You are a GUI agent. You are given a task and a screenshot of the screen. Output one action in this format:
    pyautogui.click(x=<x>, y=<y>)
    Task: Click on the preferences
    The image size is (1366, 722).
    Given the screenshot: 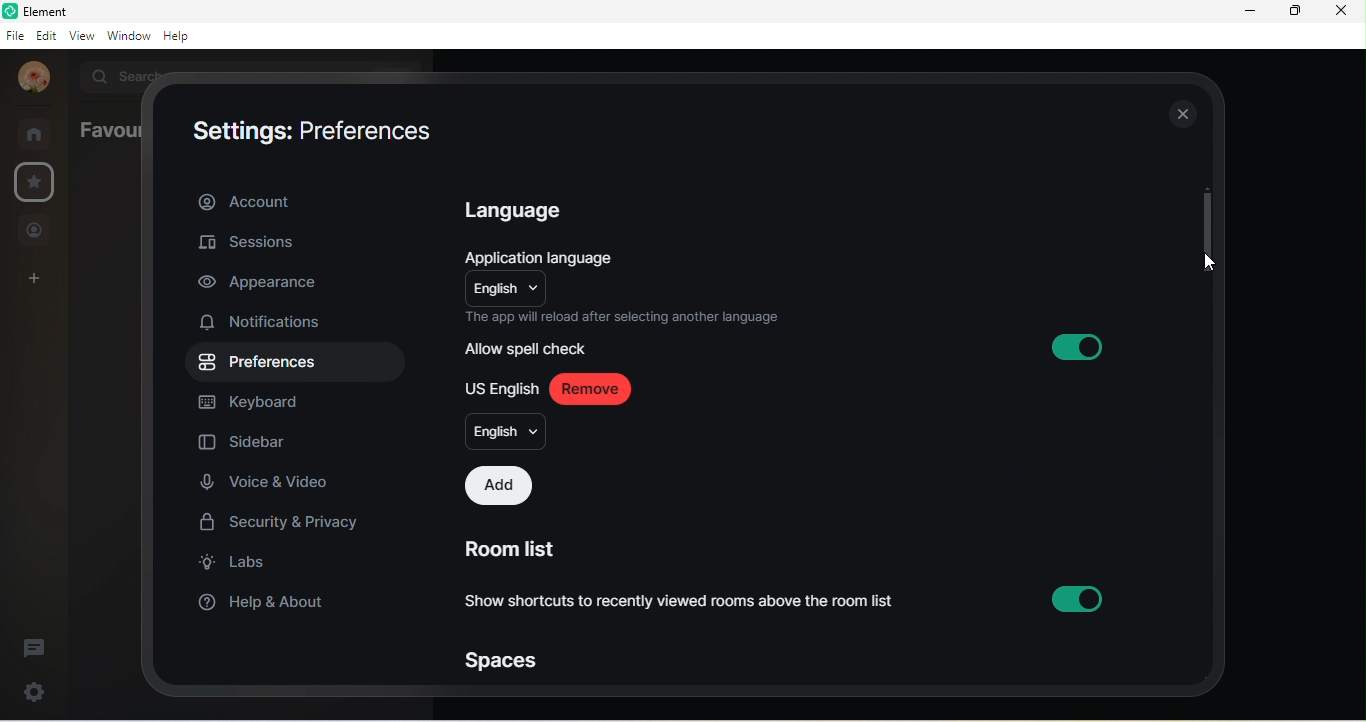 What is the action you would take?
    pyautogui.click(x=371, y=128)
    